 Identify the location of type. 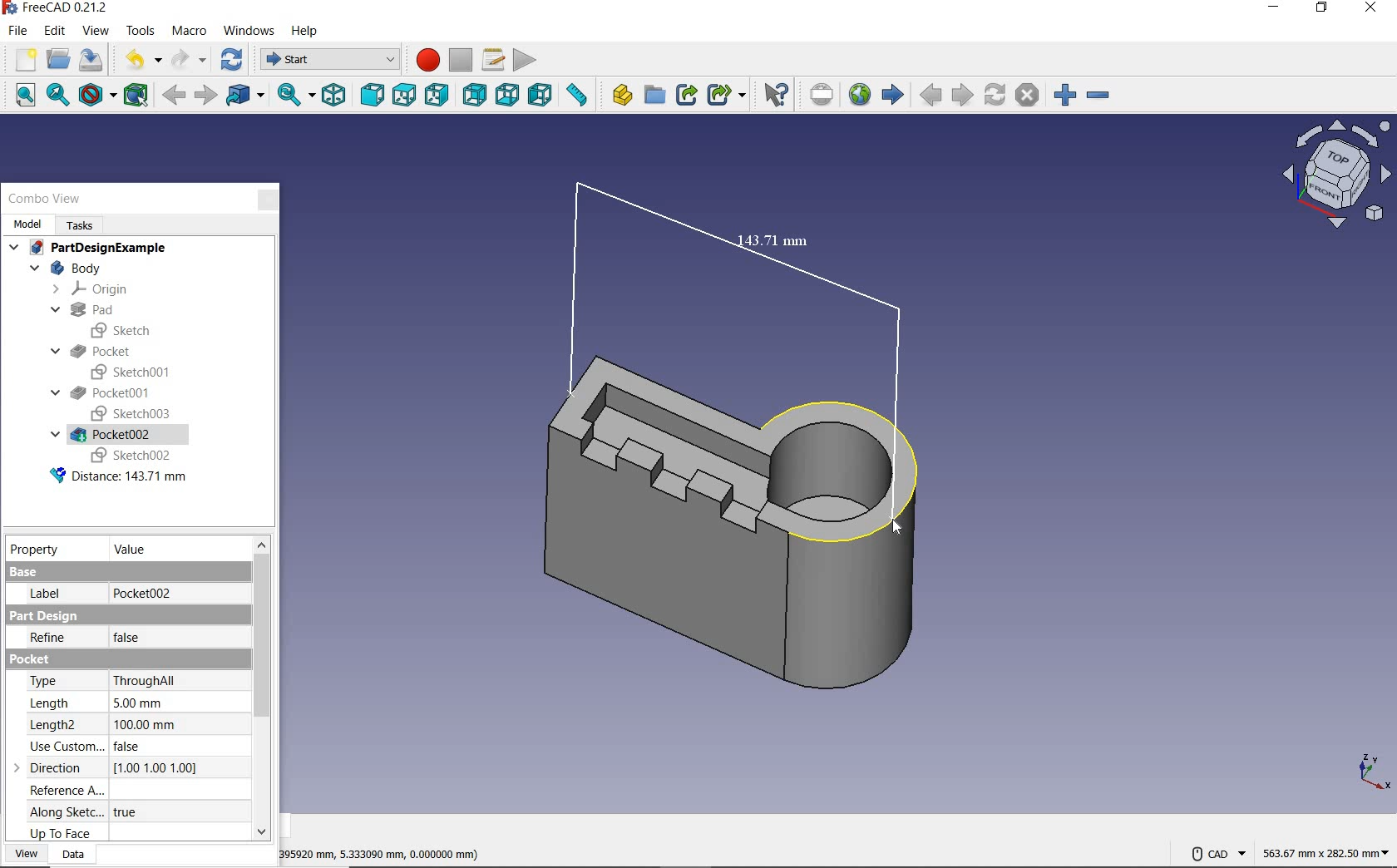
(45, 683).